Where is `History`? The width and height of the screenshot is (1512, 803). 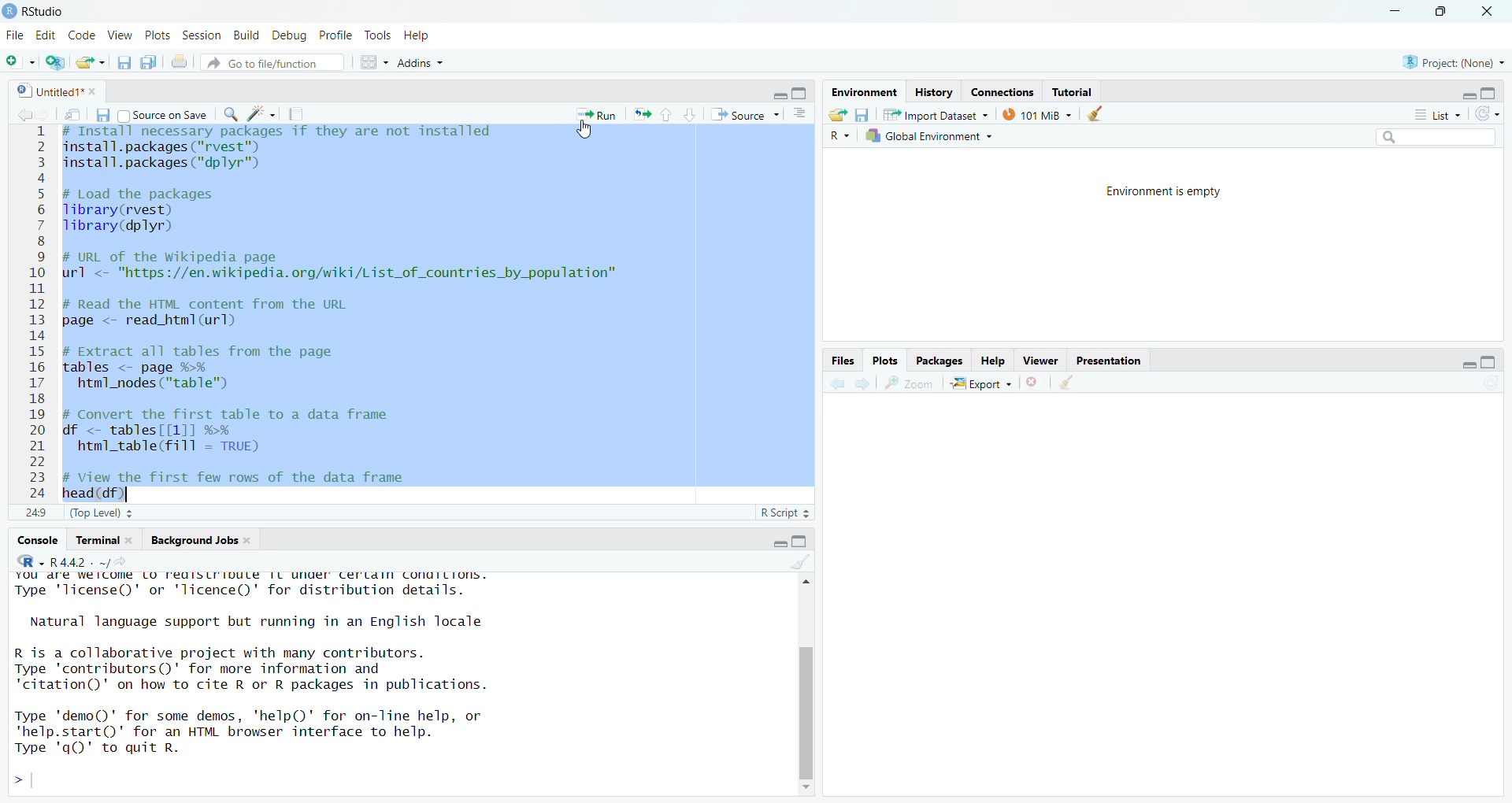 History is located at coordinates (934, 94).